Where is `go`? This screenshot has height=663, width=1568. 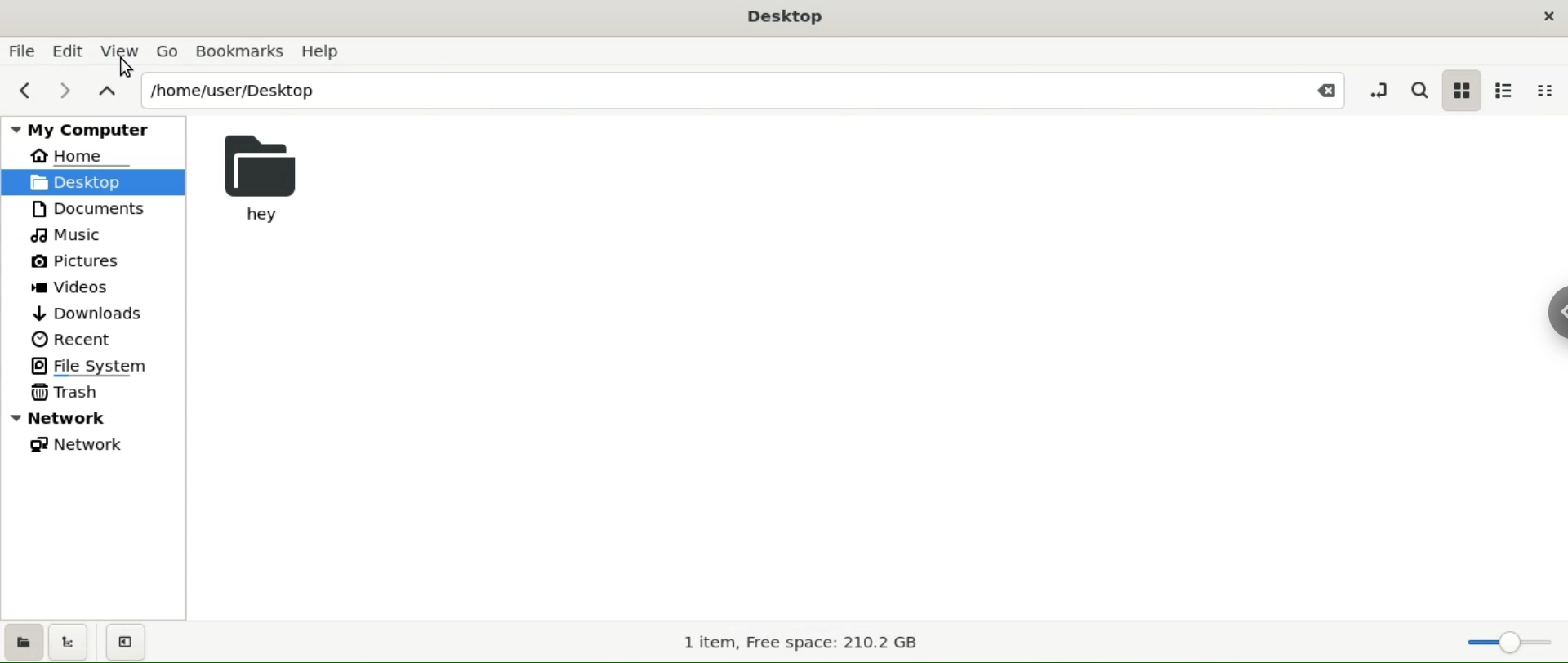
go is located at coordinates (167, 49).